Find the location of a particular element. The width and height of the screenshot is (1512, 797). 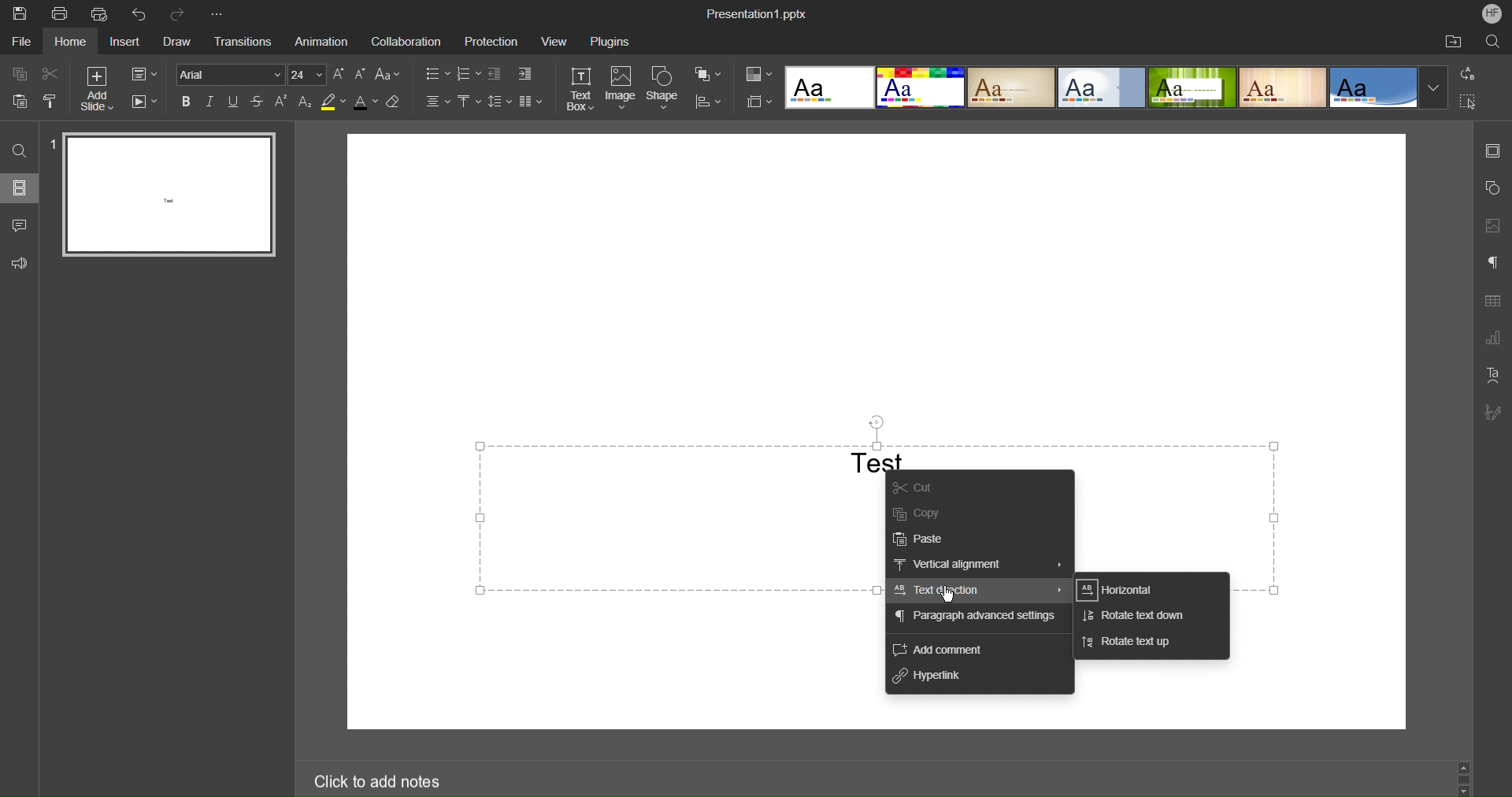

Superscript is located at coordinates (281, 102).